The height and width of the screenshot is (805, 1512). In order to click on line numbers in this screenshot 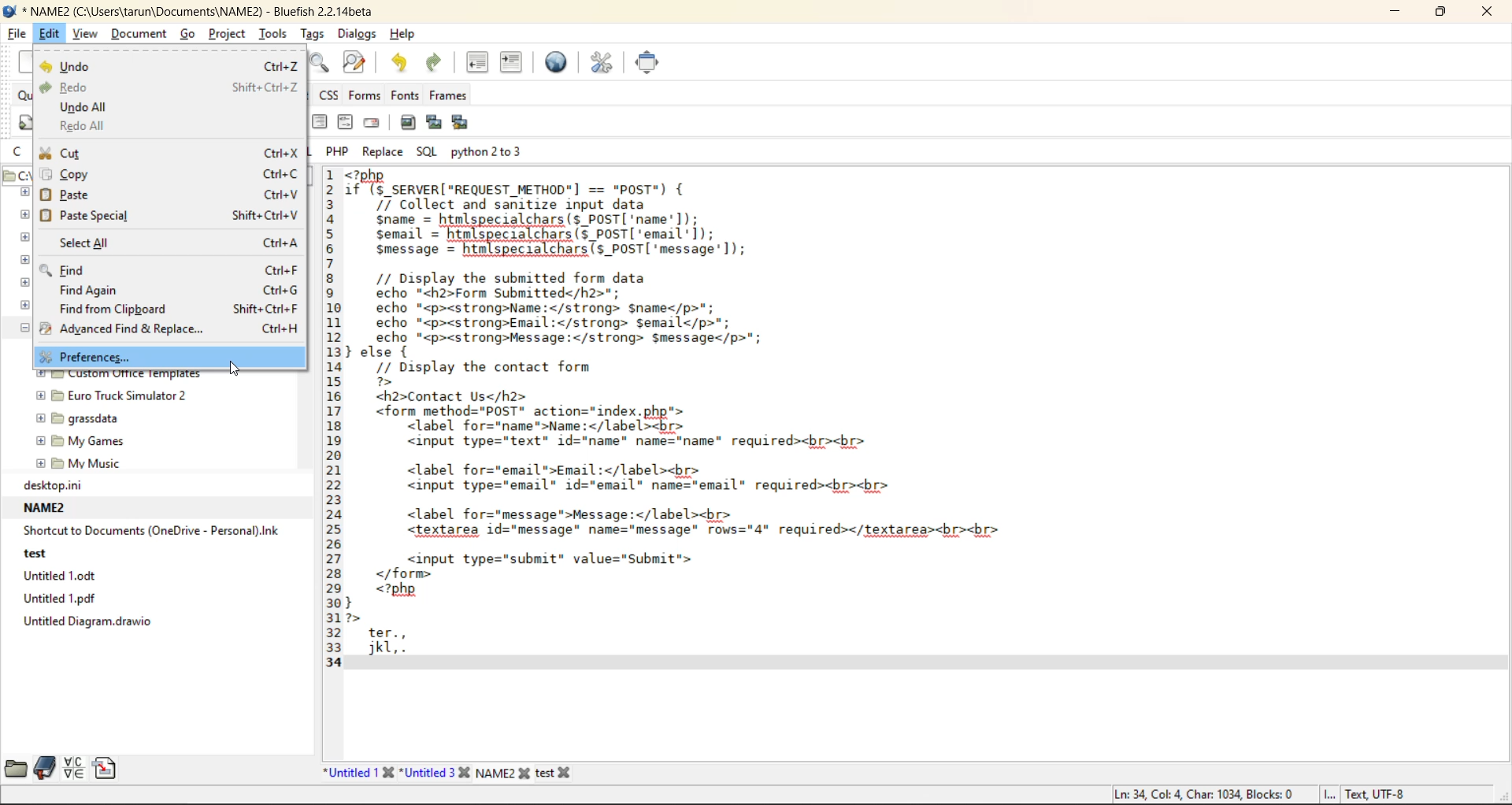, I will do `click(330, 420)`.